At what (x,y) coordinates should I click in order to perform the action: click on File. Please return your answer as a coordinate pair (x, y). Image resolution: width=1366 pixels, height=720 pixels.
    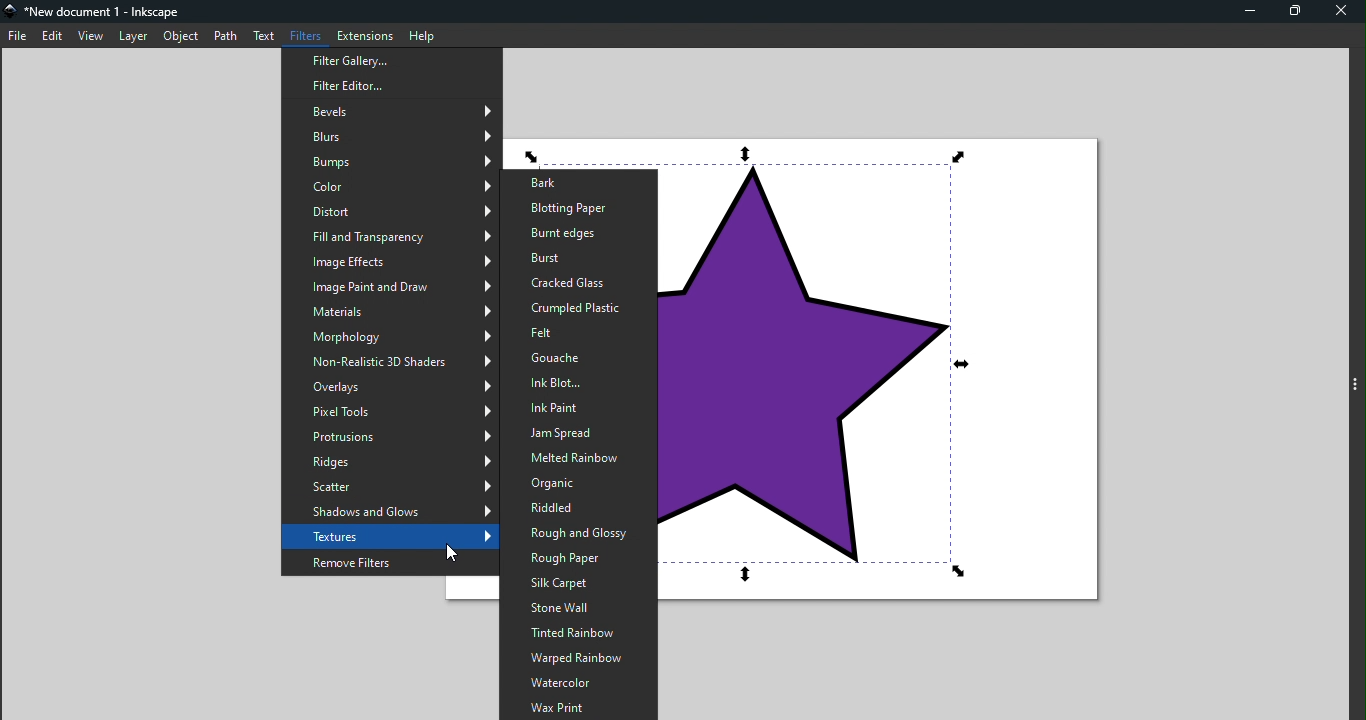
    Looking at the image, I should click on (18, 35).